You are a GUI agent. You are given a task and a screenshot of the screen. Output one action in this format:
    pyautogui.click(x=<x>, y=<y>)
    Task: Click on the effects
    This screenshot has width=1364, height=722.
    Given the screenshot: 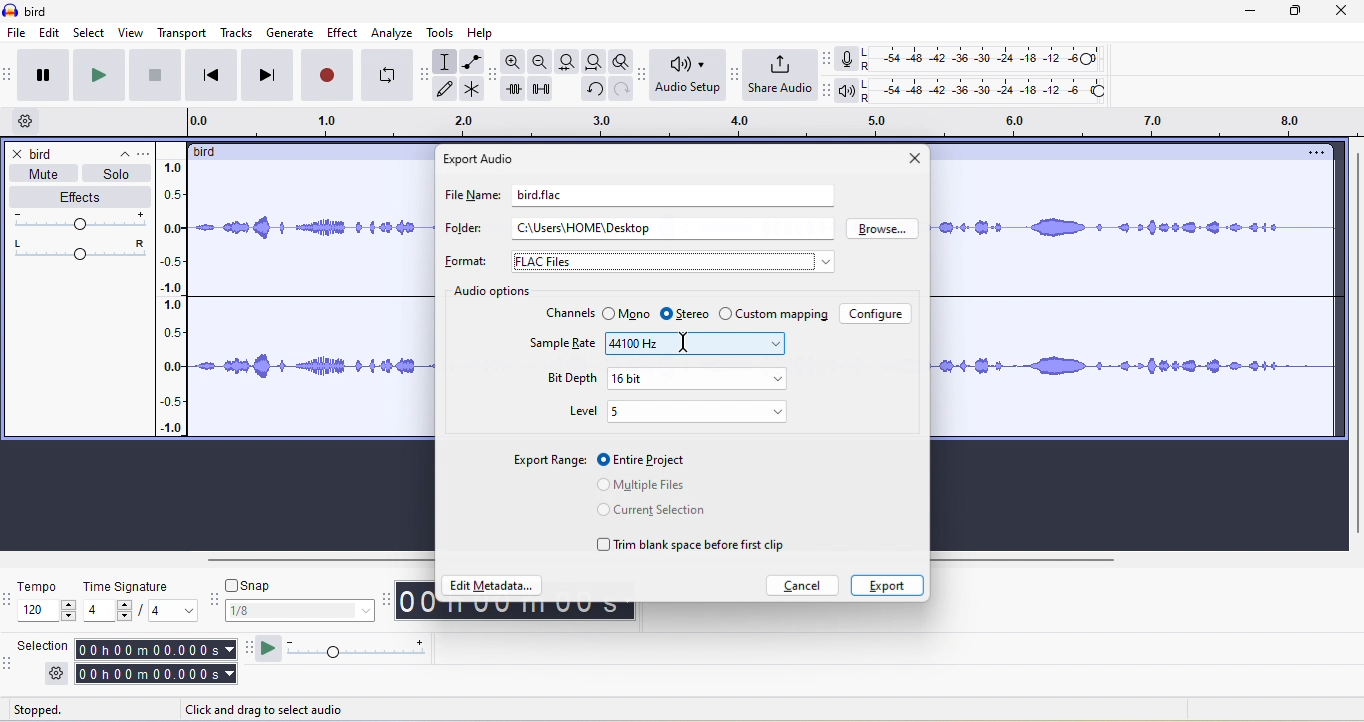 What is the action you would take?
    pyautogui.click(x=79, y=198)
    